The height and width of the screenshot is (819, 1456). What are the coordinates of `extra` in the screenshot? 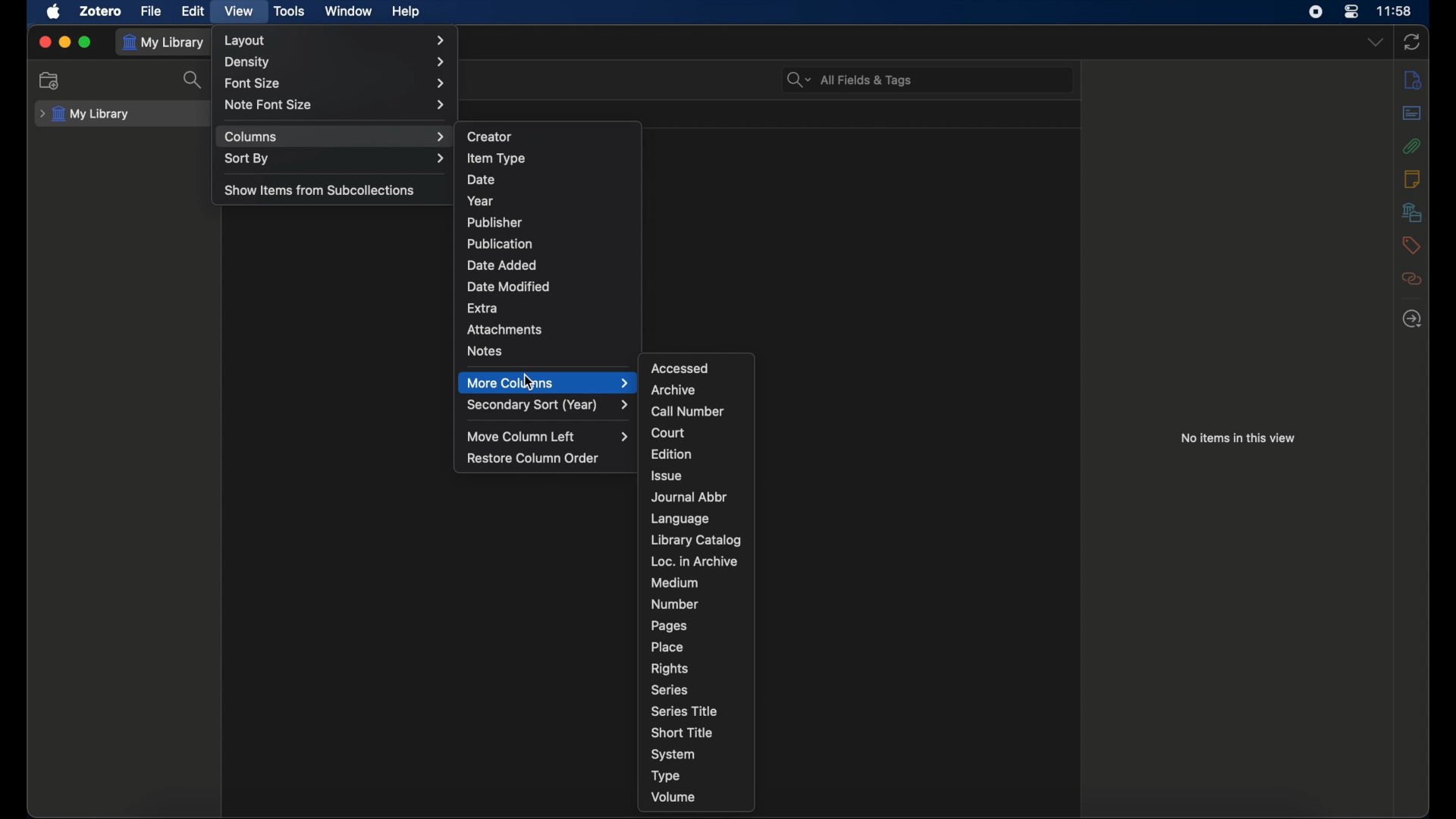 It's located at (484, 308).